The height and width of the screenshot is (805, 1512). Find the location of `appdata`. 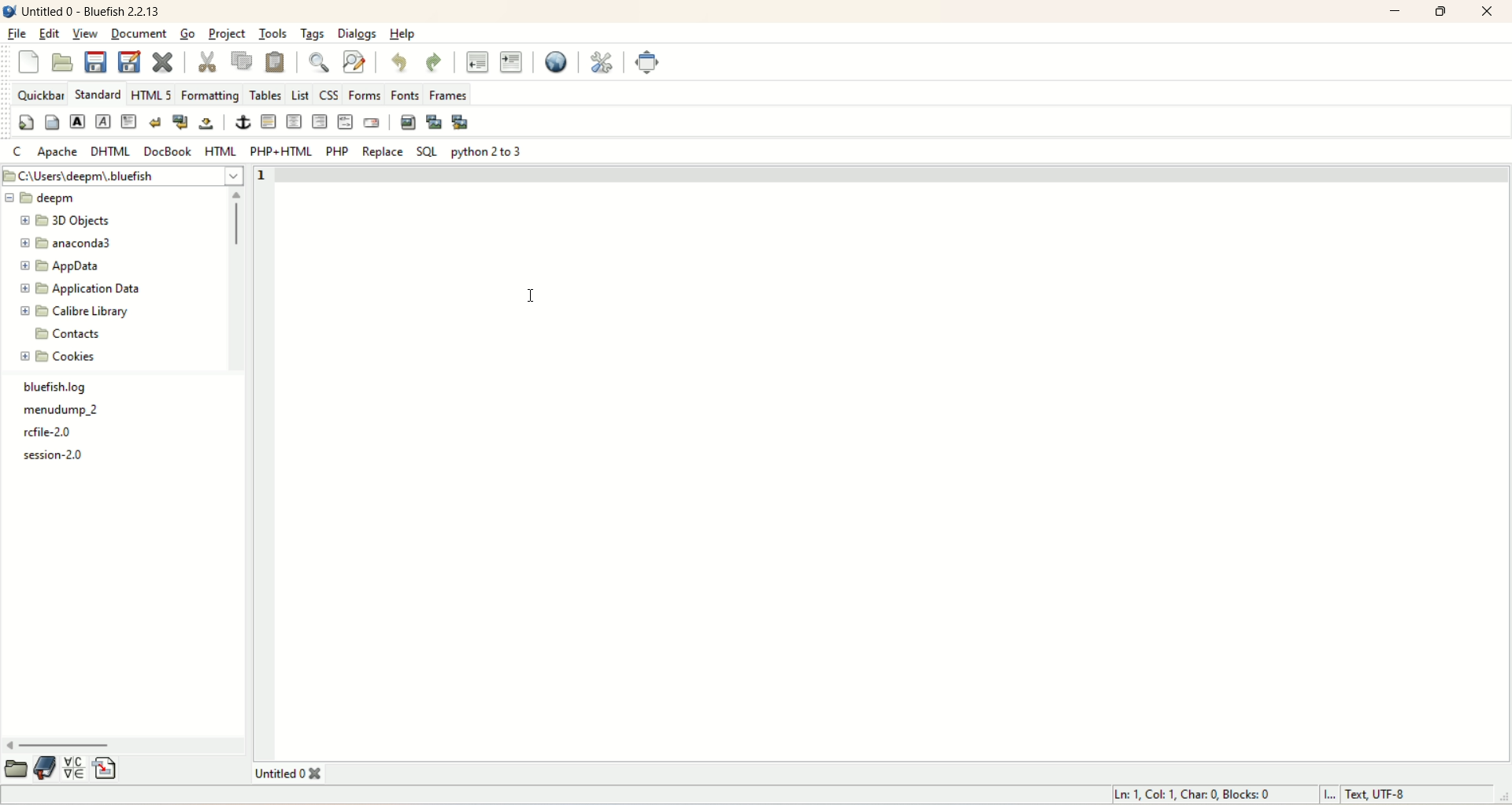

appdata is located at coordinates (67, 267).